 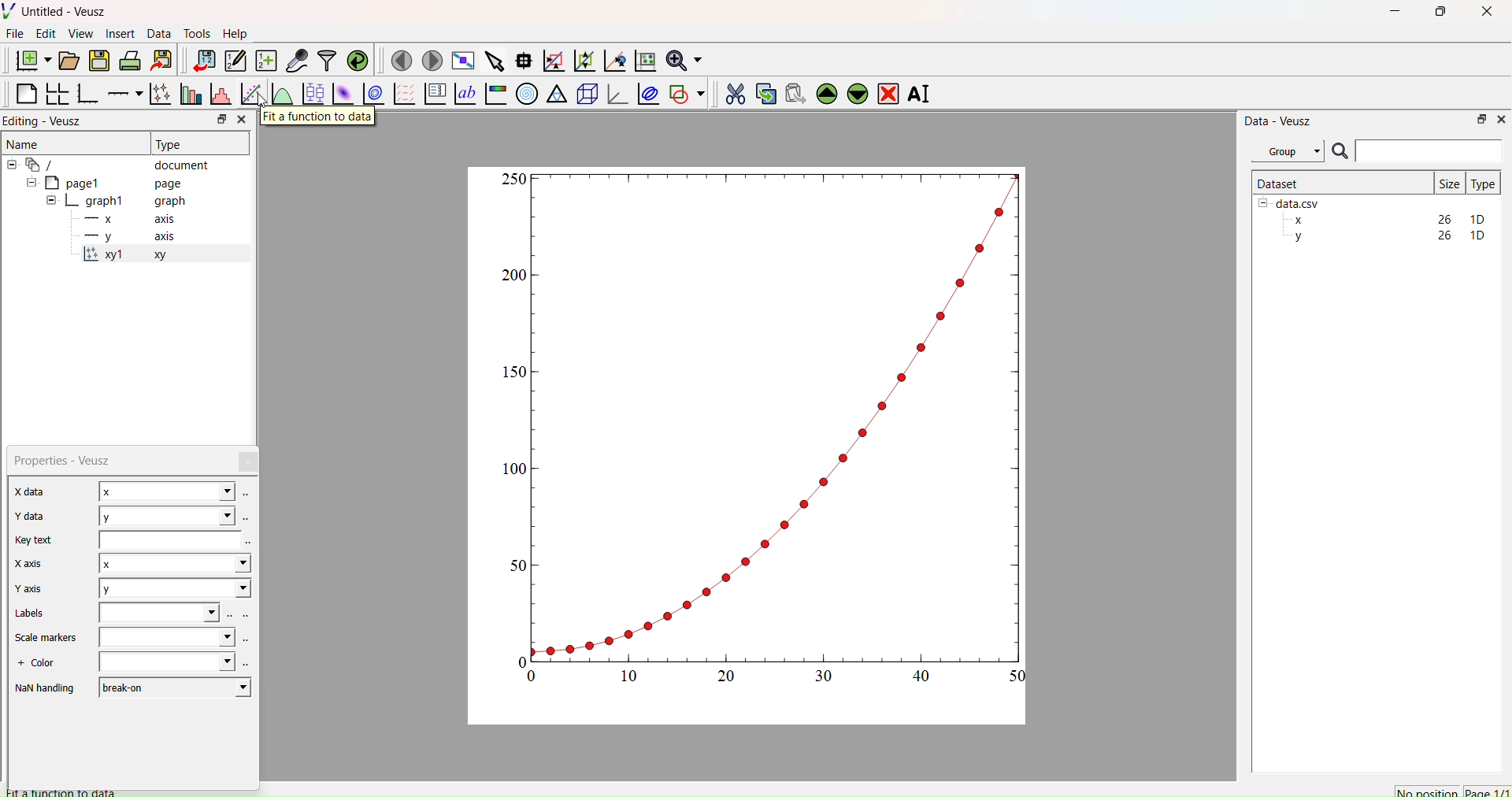 I want to click on Up, so click(x=825, y=91).